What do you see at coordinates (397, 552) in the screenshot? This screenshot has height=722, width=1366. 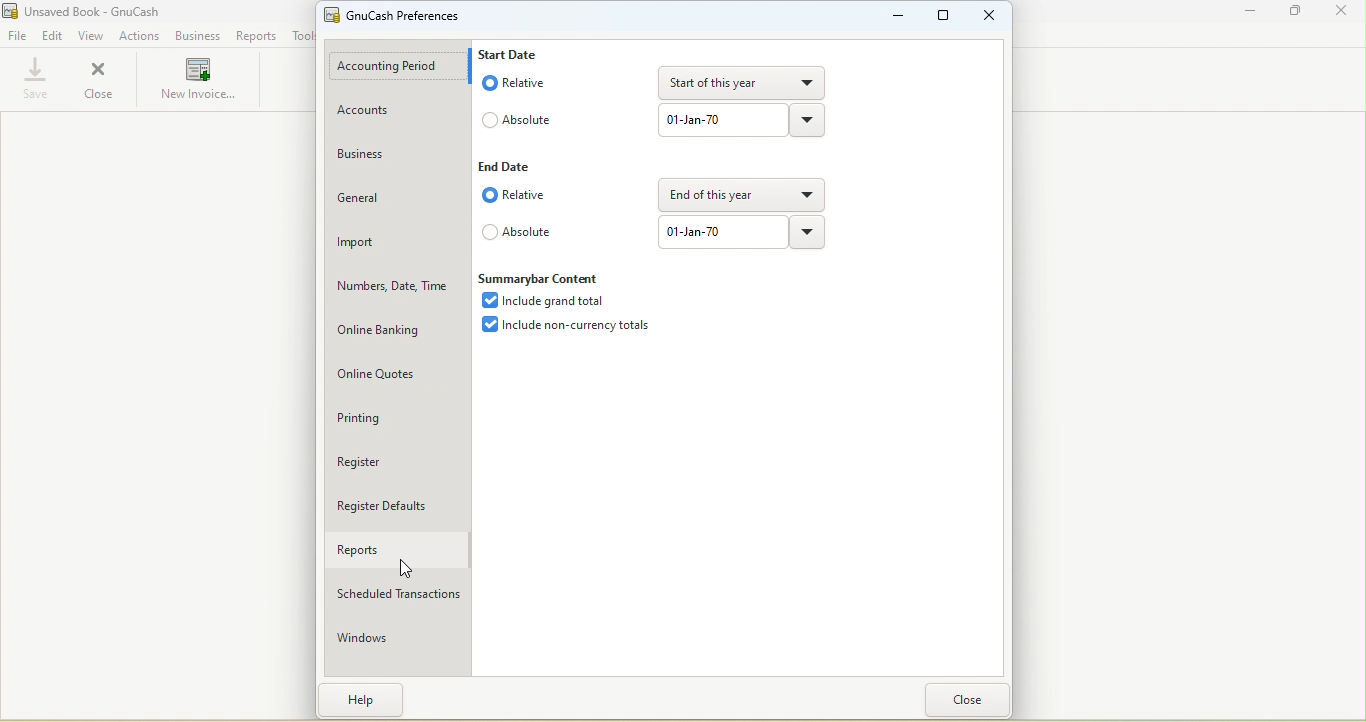 I see `Reports` at bounding box center [397, 552].